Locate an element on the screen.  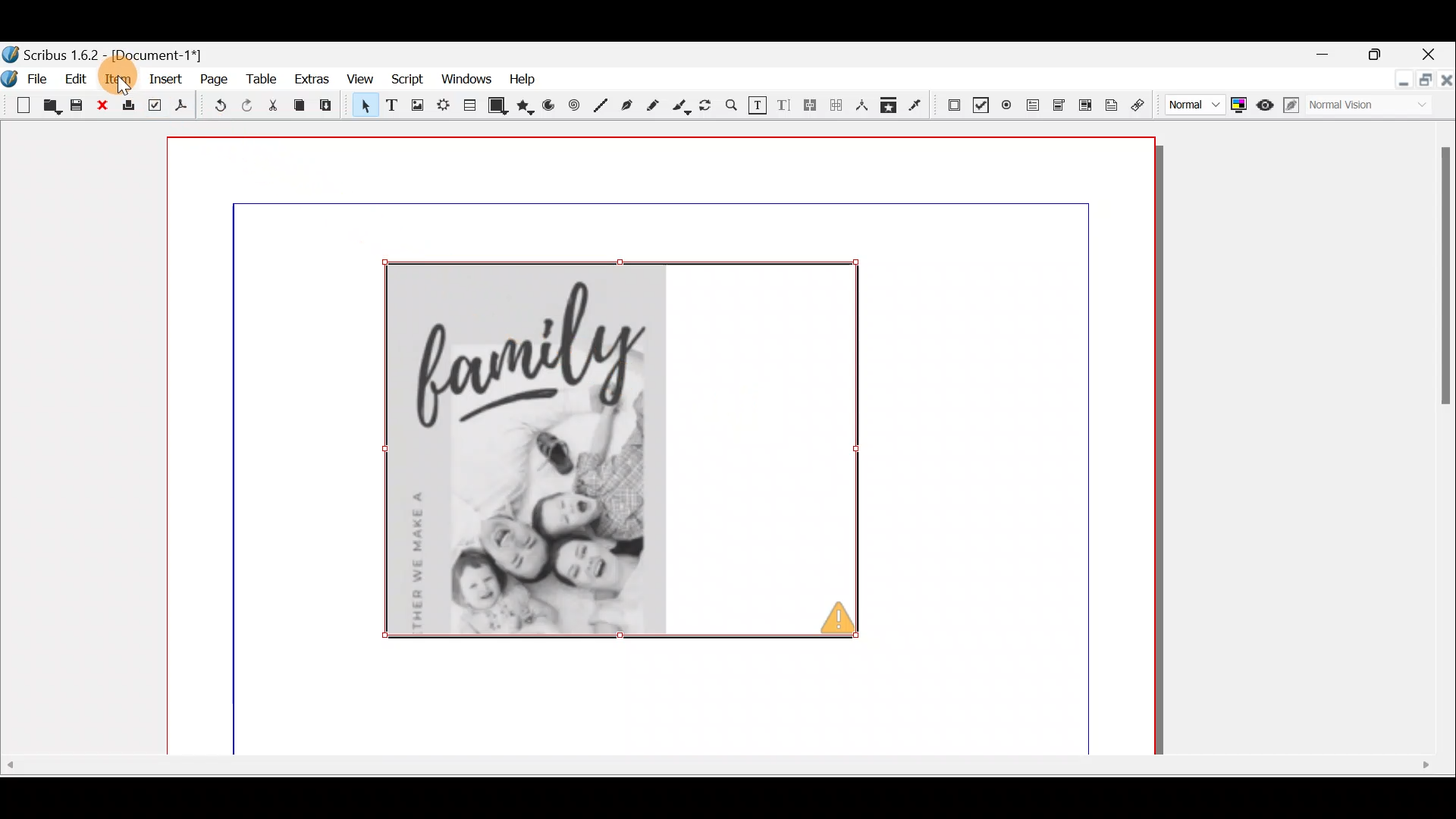
New is located at coordinates (17, 104).